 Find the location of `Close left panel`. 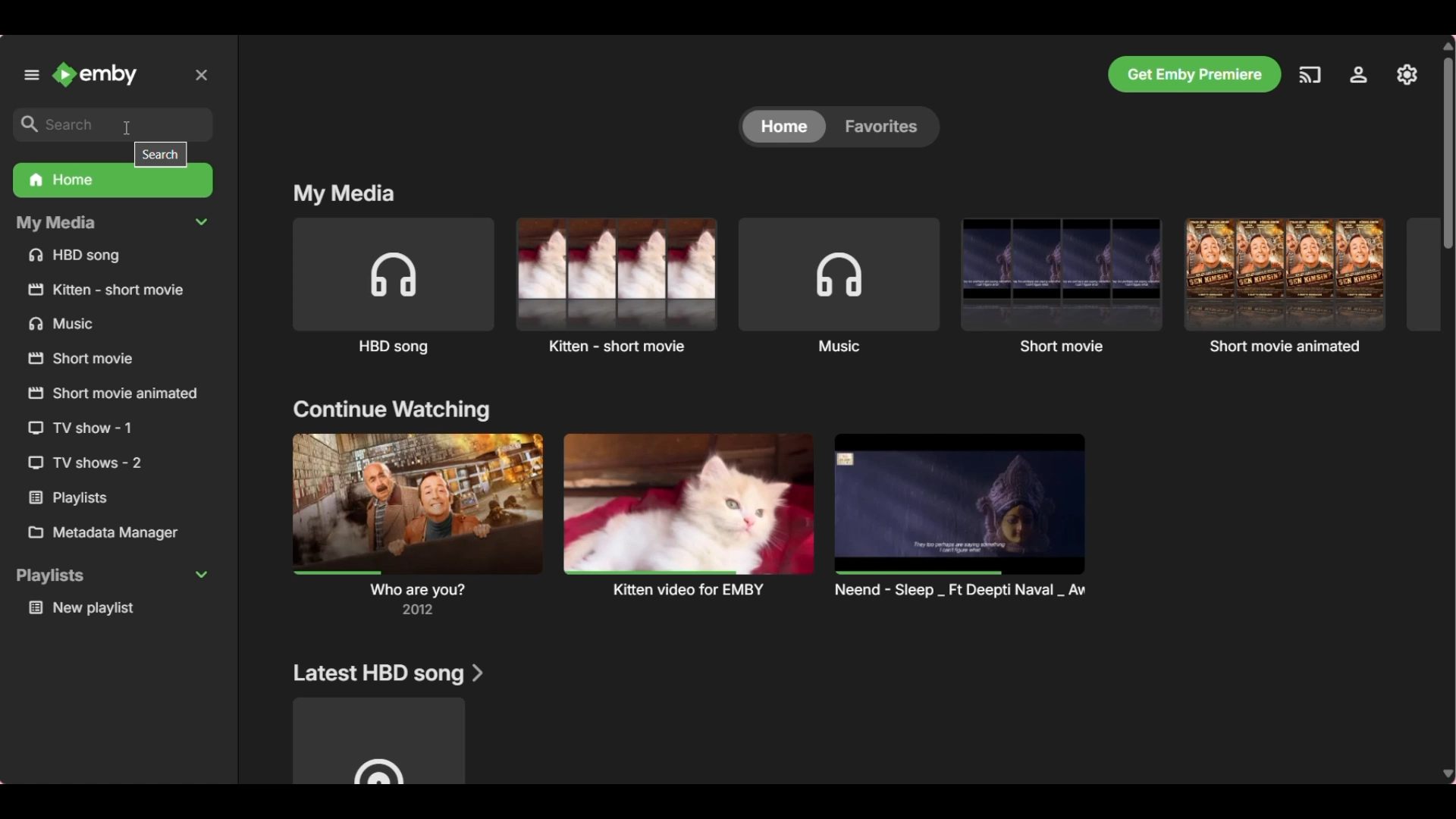

Close left panel is located at coordinates (201, 75).